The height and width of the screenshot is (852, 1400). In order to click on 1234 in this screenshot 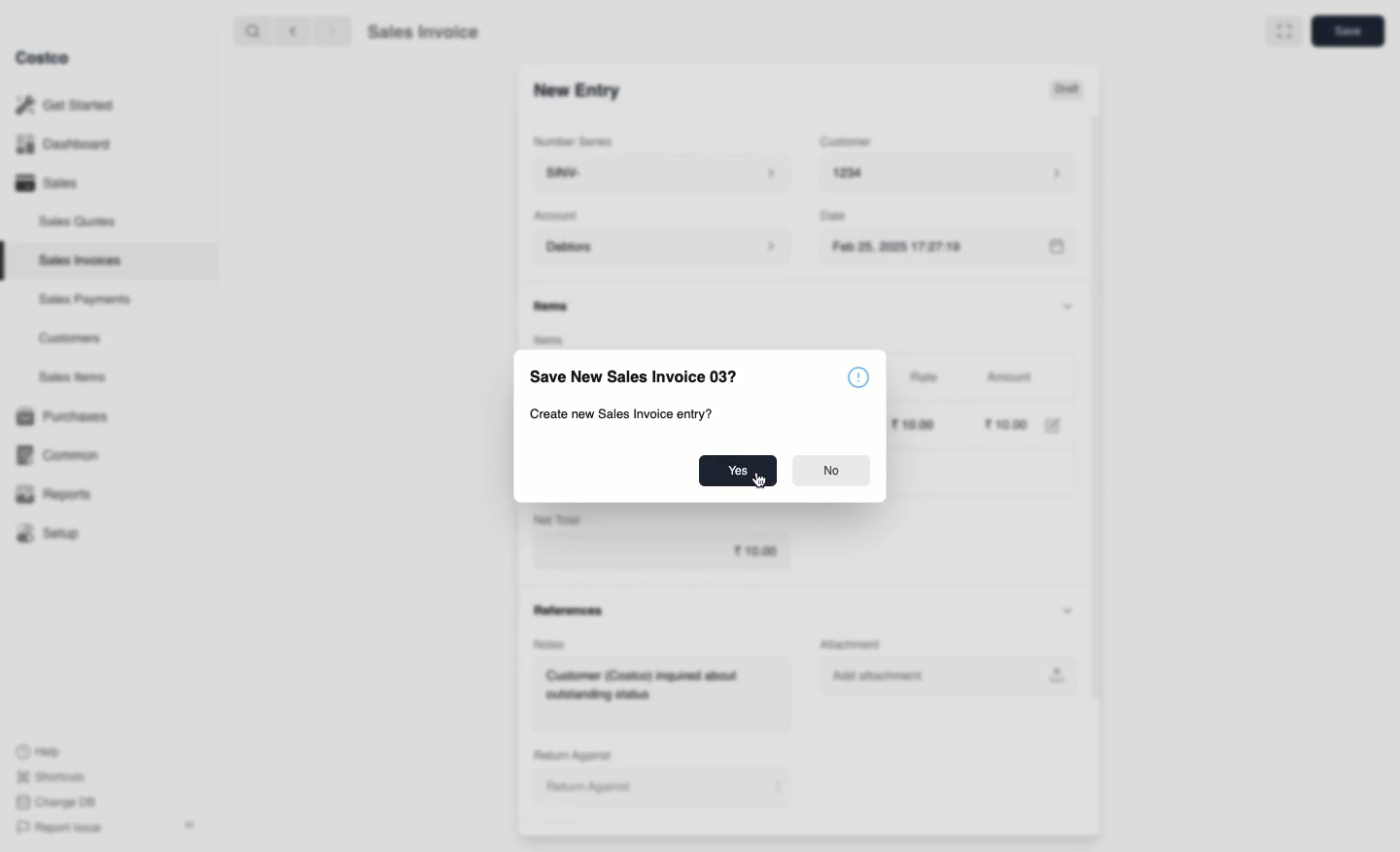, I will do `click(956, 176)`.